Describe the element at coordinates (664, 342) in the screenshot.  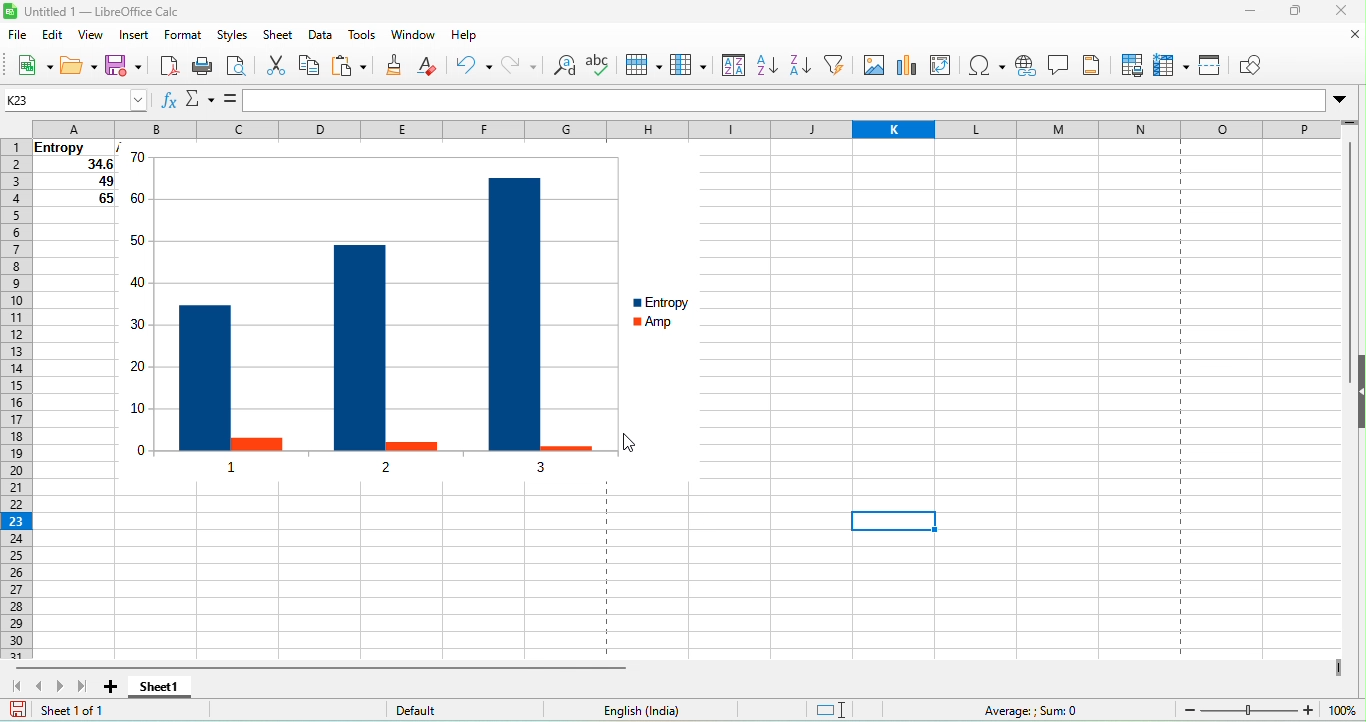
I see `` at that location.